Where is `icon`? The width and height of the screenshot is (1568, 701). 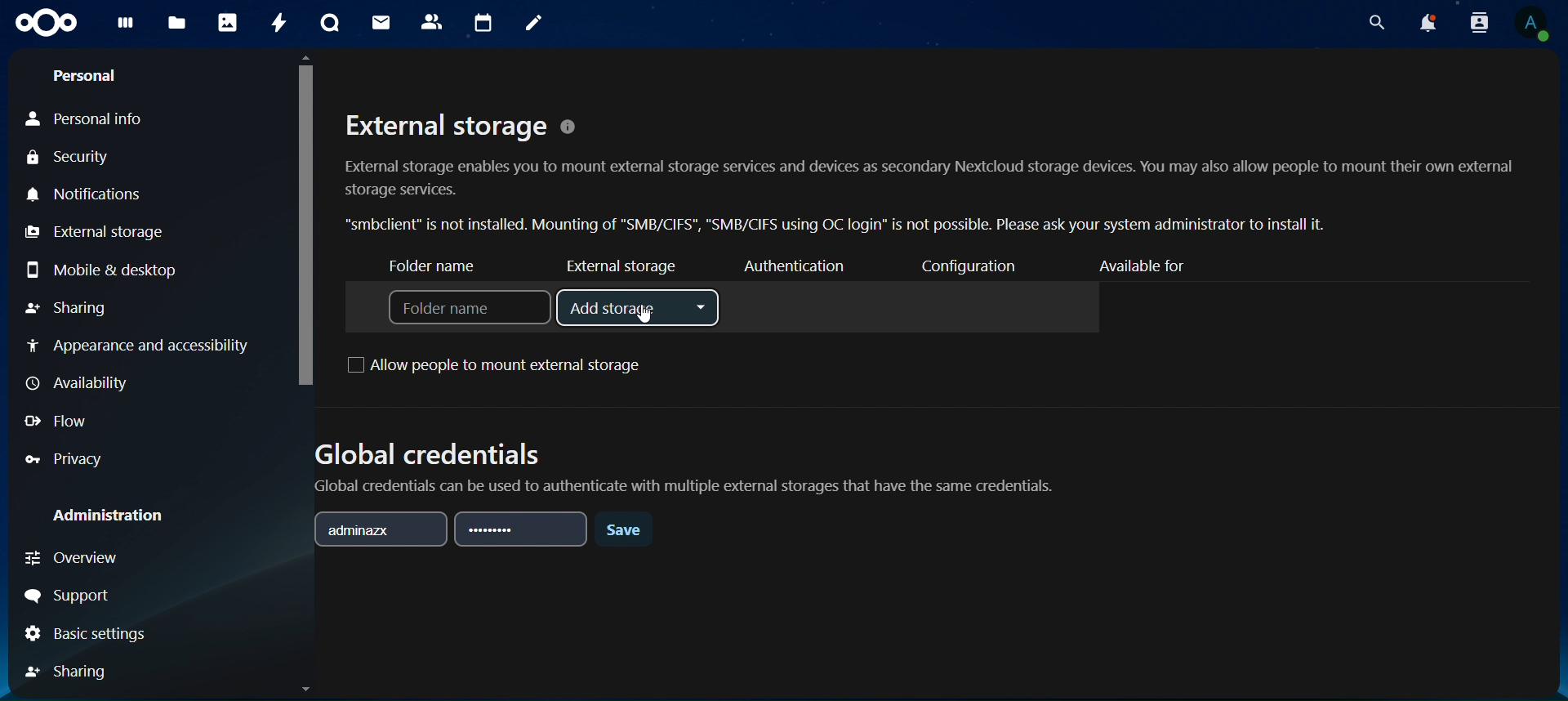 icon is located at coordinates (46, 21).